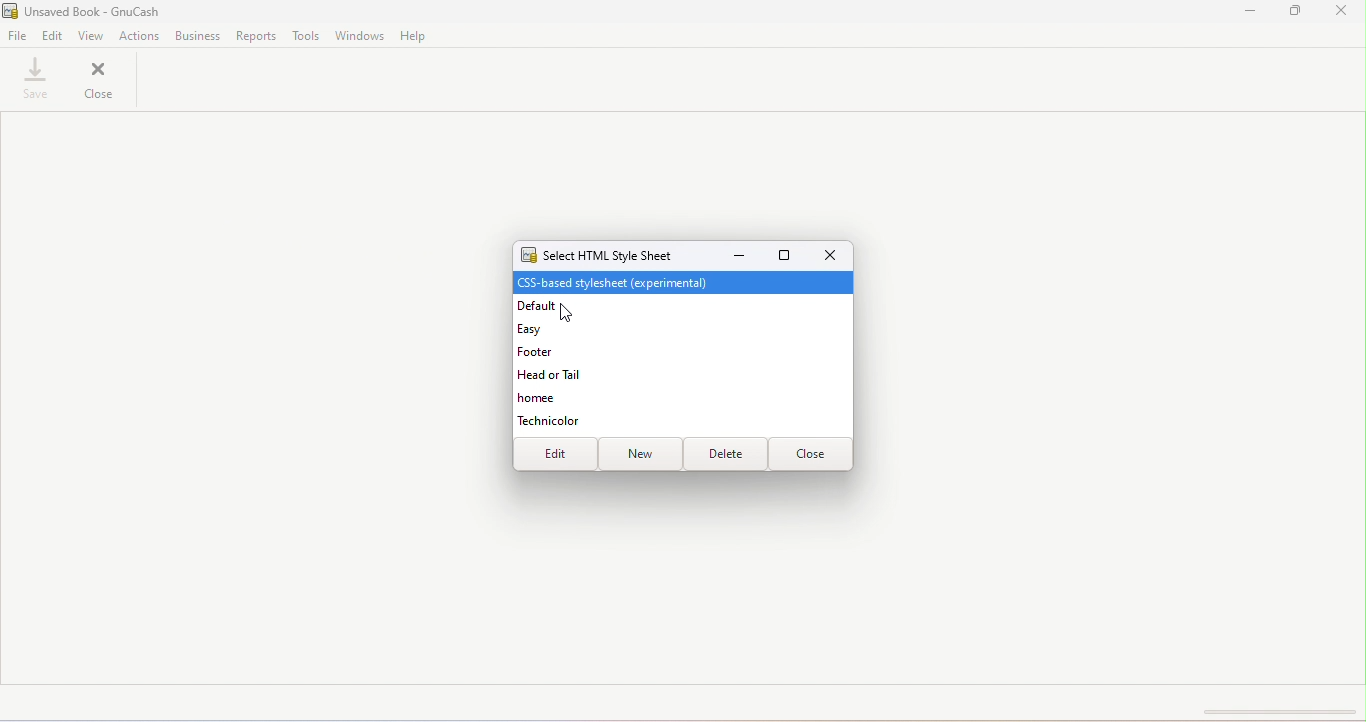 The height and width of the screenshot is (722, 1366). I want to click on New, so click(639, 454).